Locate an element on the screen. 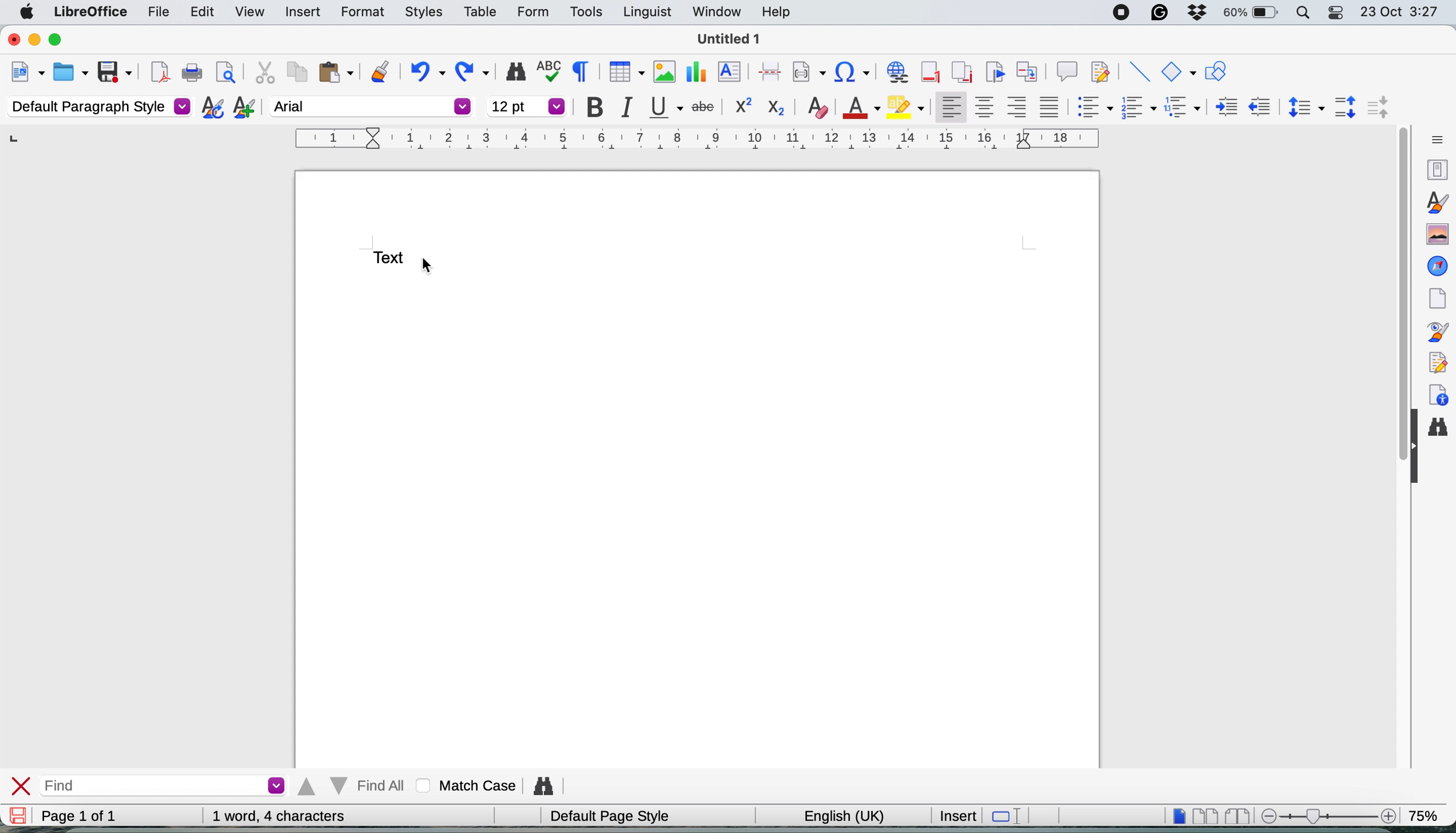  insert text box is located at coordinates (731, 73).